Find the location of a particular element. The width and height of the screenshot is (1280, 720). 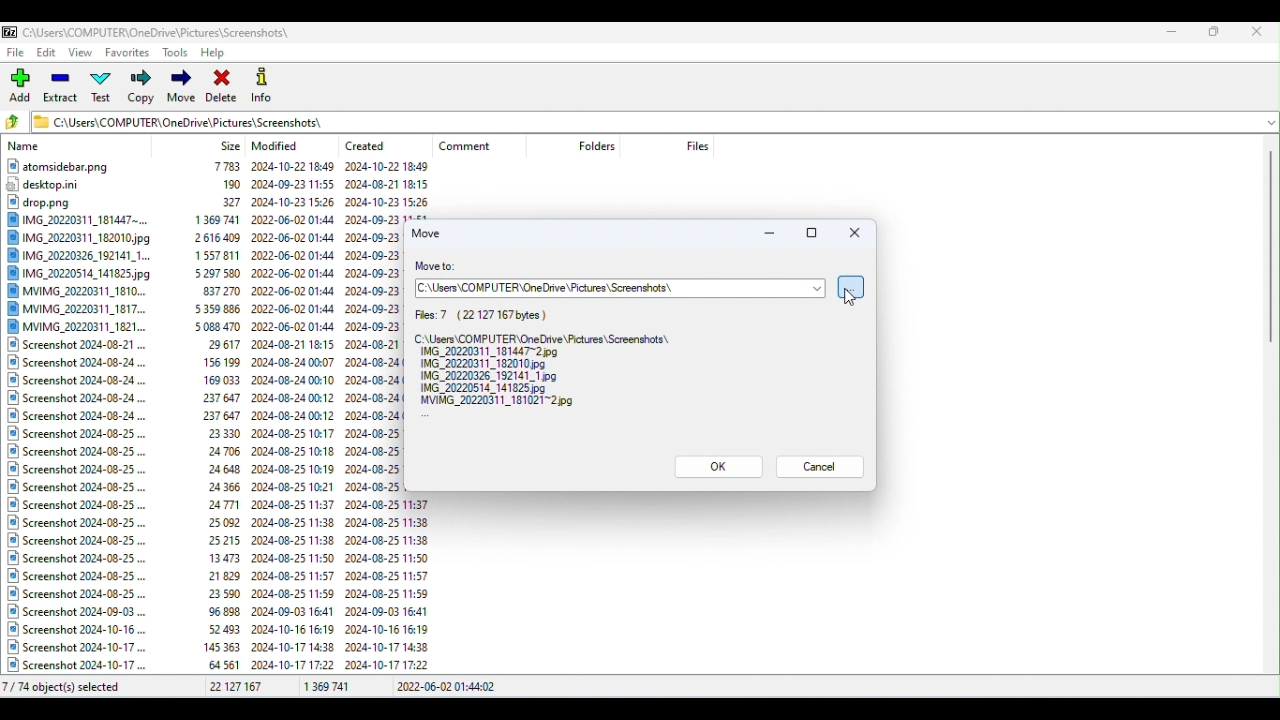

Info is located at coordinates (264, 84).